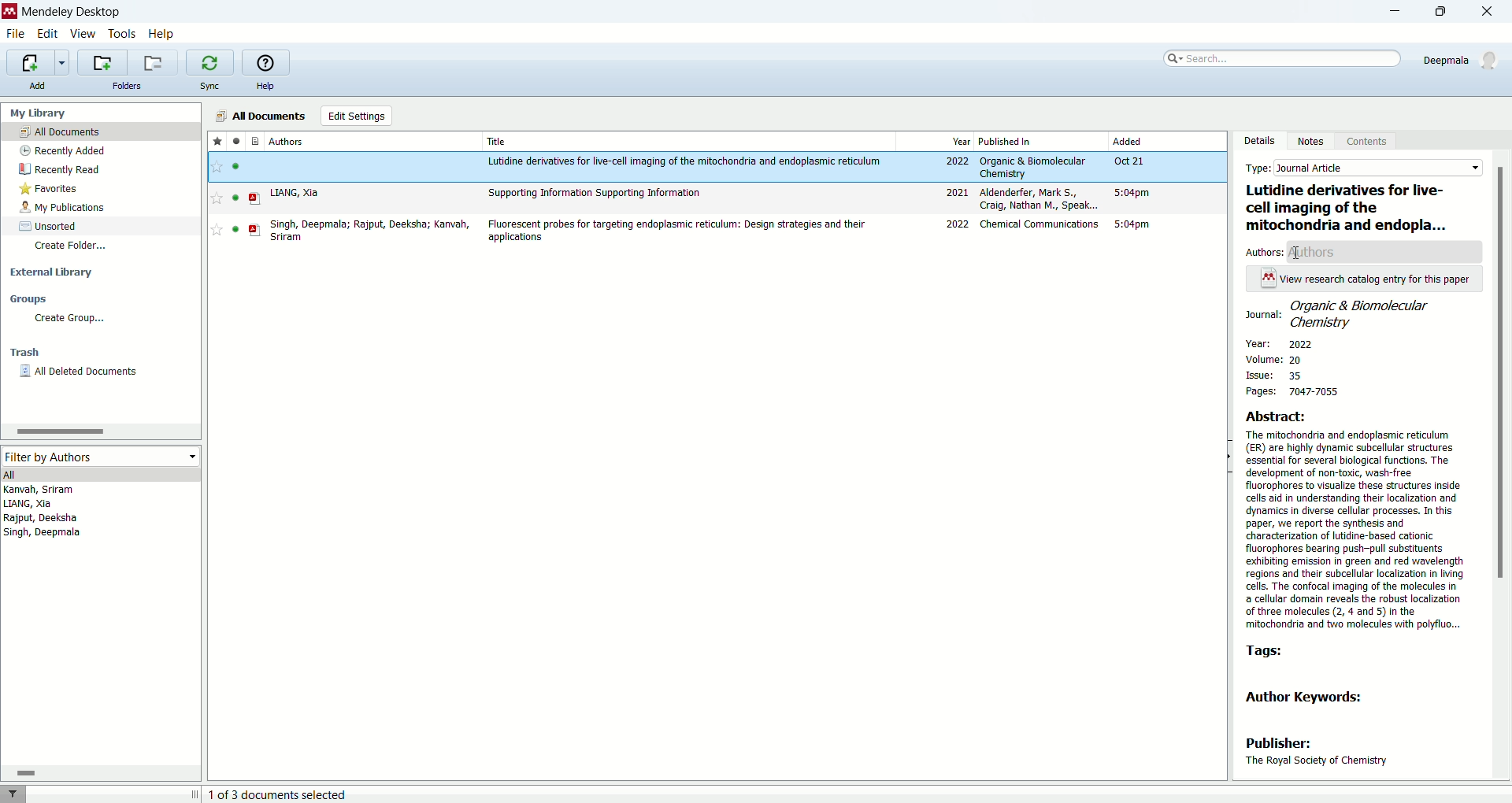 The width and height of the screenshot is (1512, 803). Describe the element at coordinates (232, 231) in the screenshot. I see `read/unread` at that location.